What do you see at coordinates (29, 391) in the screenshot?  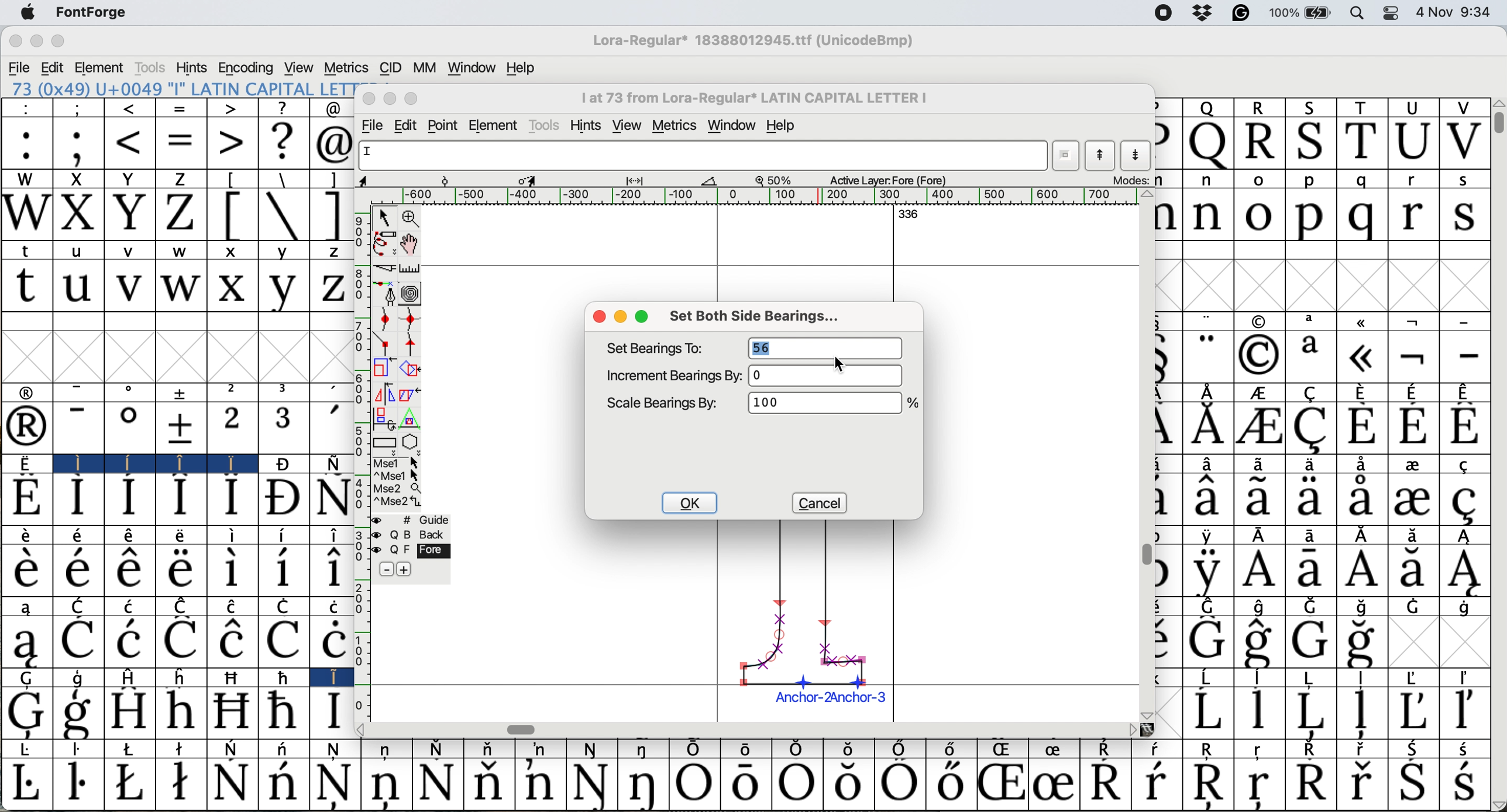 I see `symbol` at bounding box center [29, 391].